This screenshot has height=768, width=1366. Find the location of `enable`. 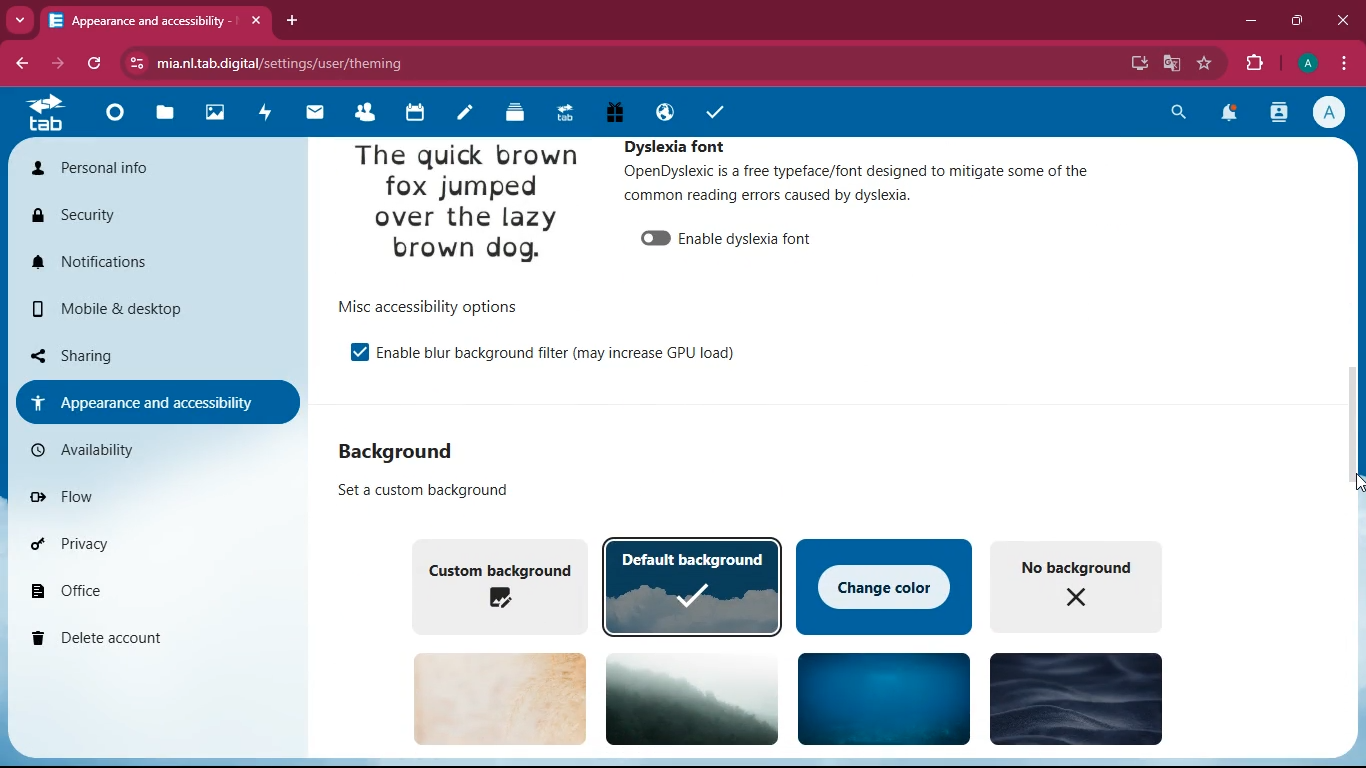

enable is located at coordinates (654, 239).